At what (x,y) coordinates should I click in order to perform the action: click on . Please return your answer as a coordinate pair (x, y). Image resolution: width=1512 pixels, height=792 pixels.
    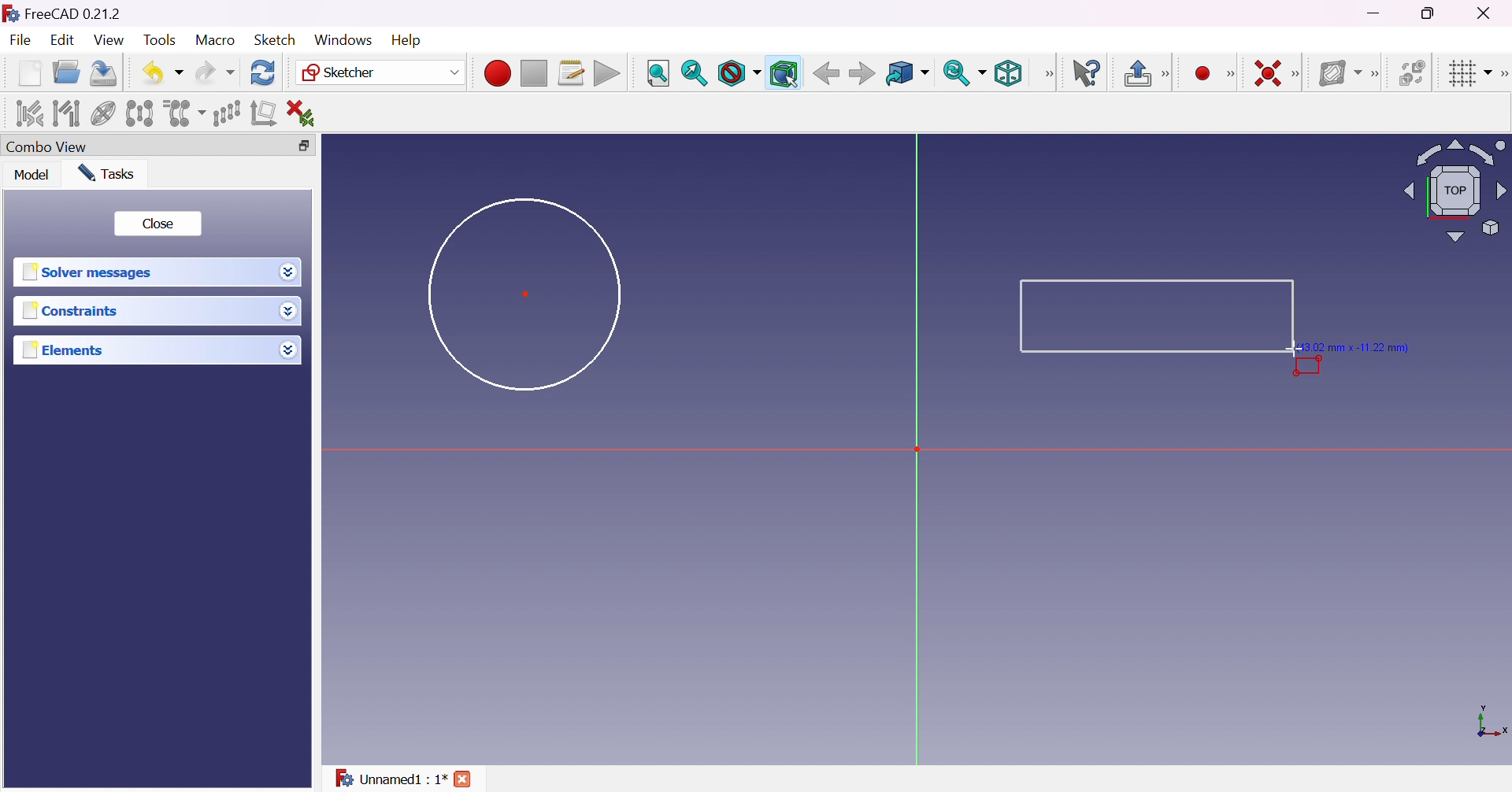
    Looking at the image, I should click on (965, 74).